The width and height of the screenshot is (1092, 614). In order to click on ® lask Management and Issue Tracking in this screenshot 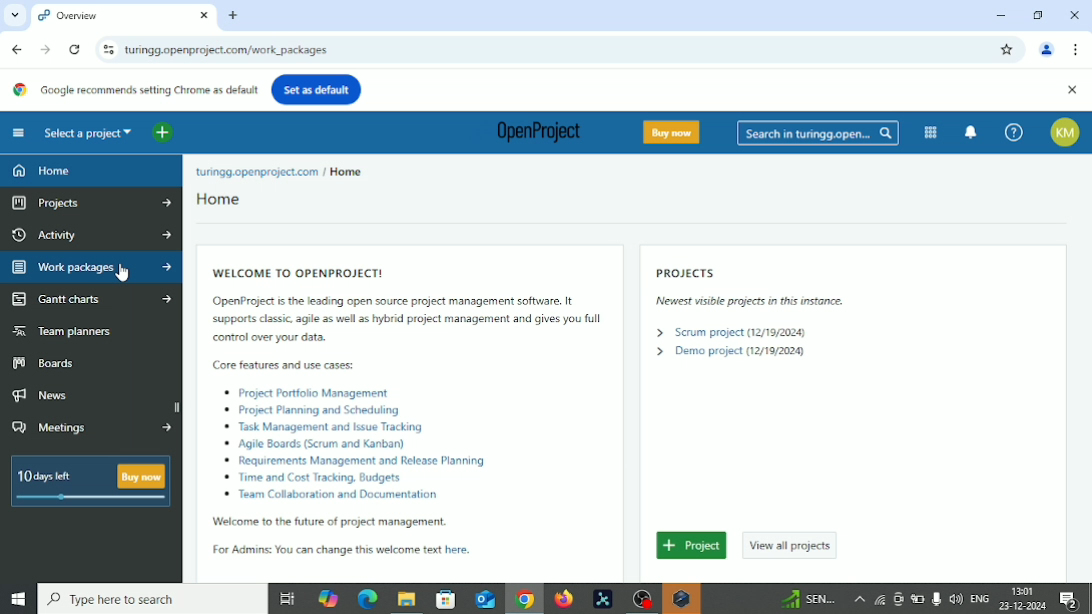, I will do `click(324, 428)`.